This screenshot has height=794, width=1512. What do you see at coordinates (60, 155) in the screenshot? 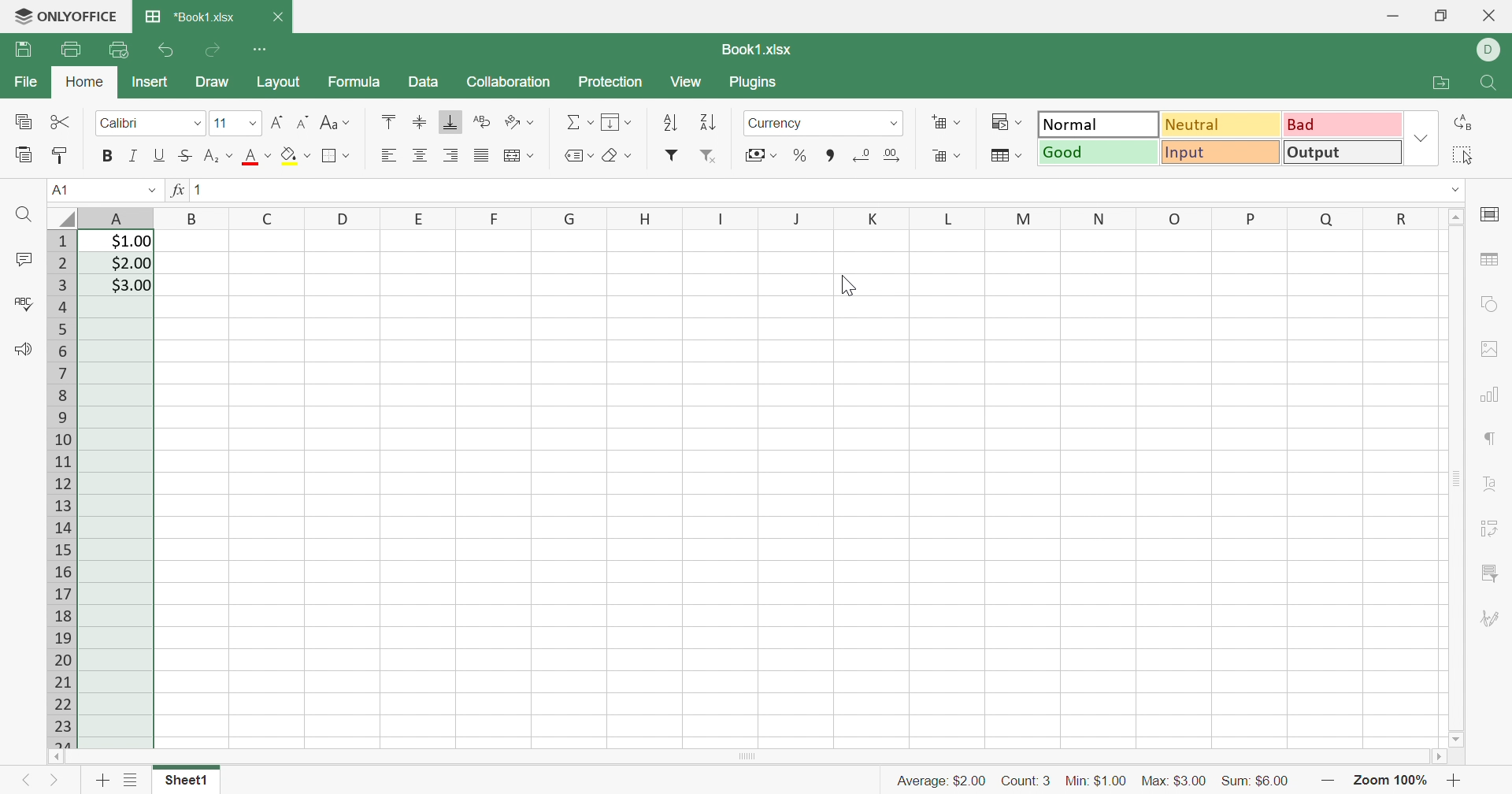
I see `Copy style` at bounding box center [60, 155].